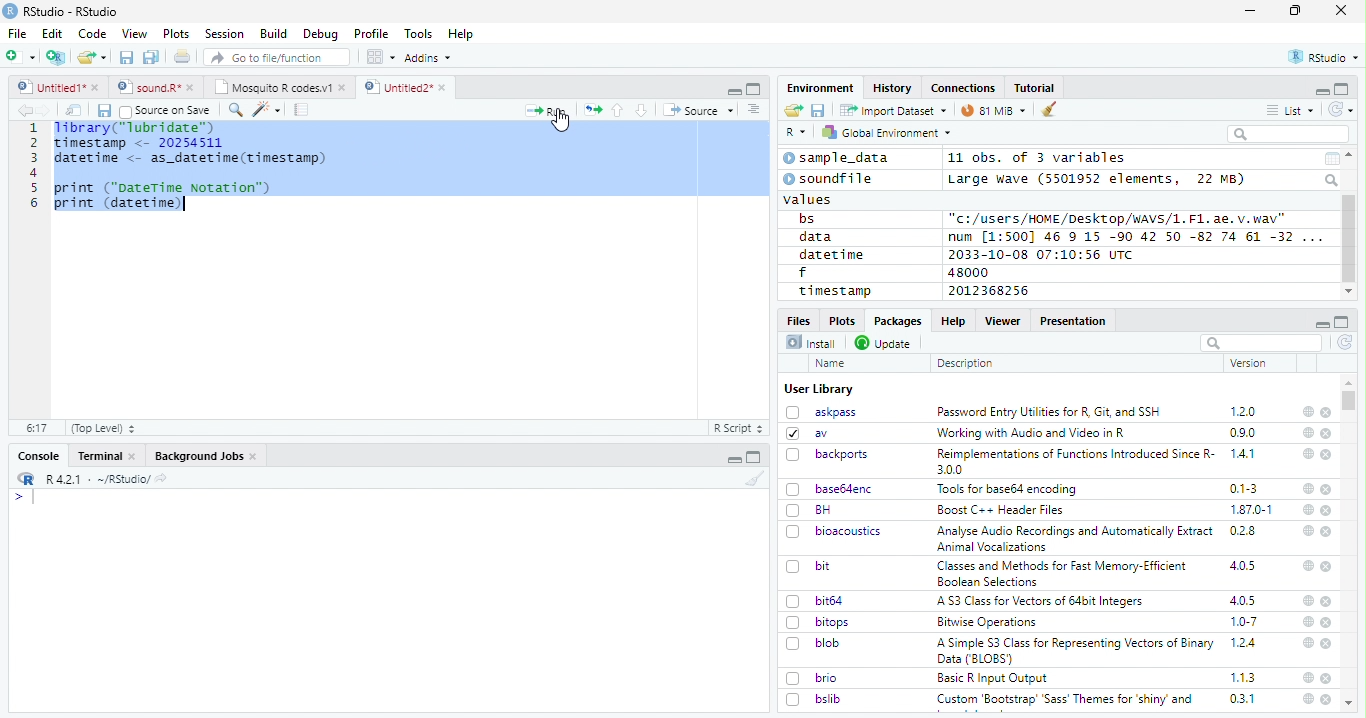  What do you see at coordinates (644, 110) in the screenshot?
I see `Go to next section` at bounding box center [644, 110].